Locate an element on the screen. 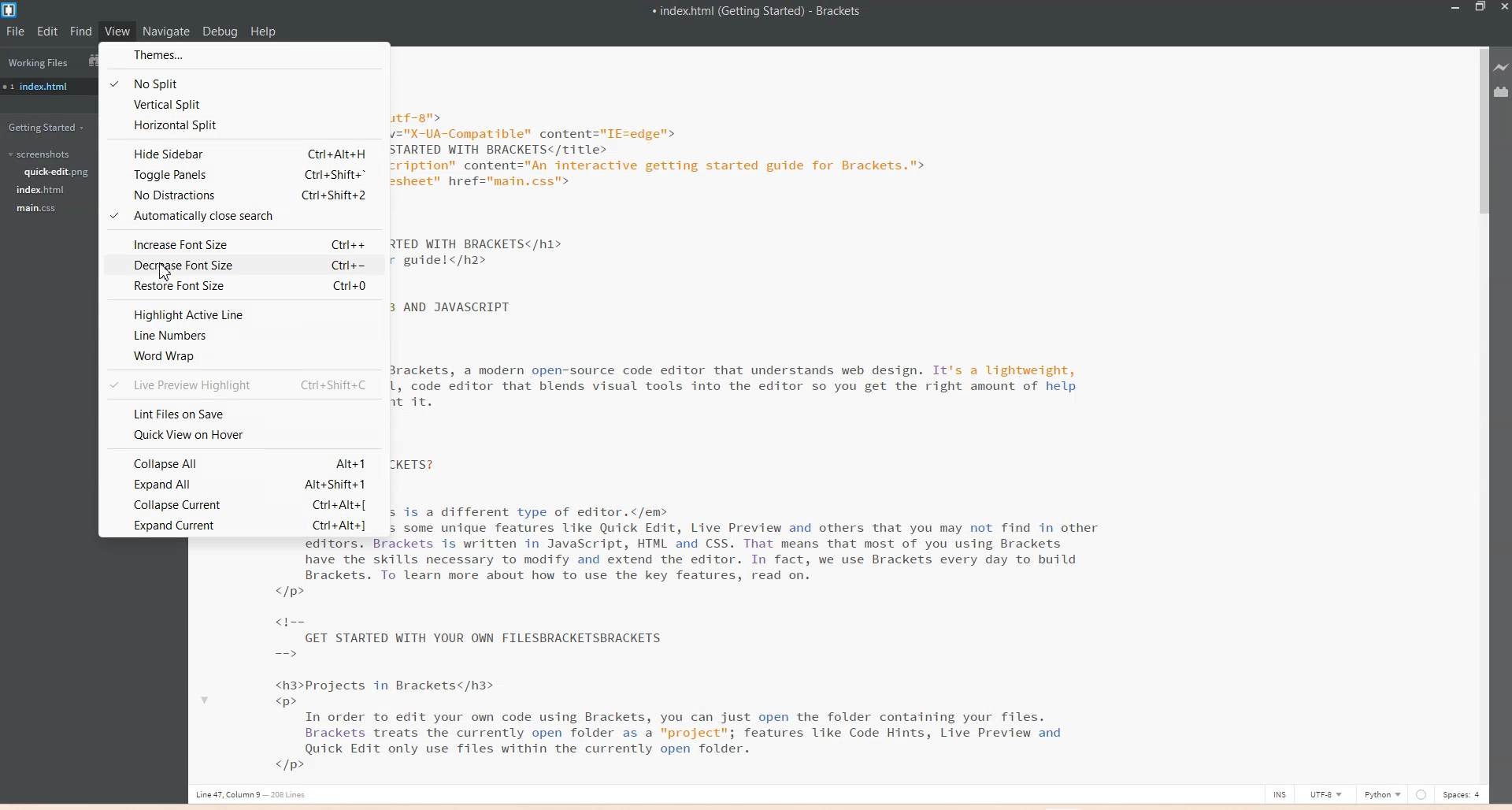  No Split is located at coordinates (244, 83).